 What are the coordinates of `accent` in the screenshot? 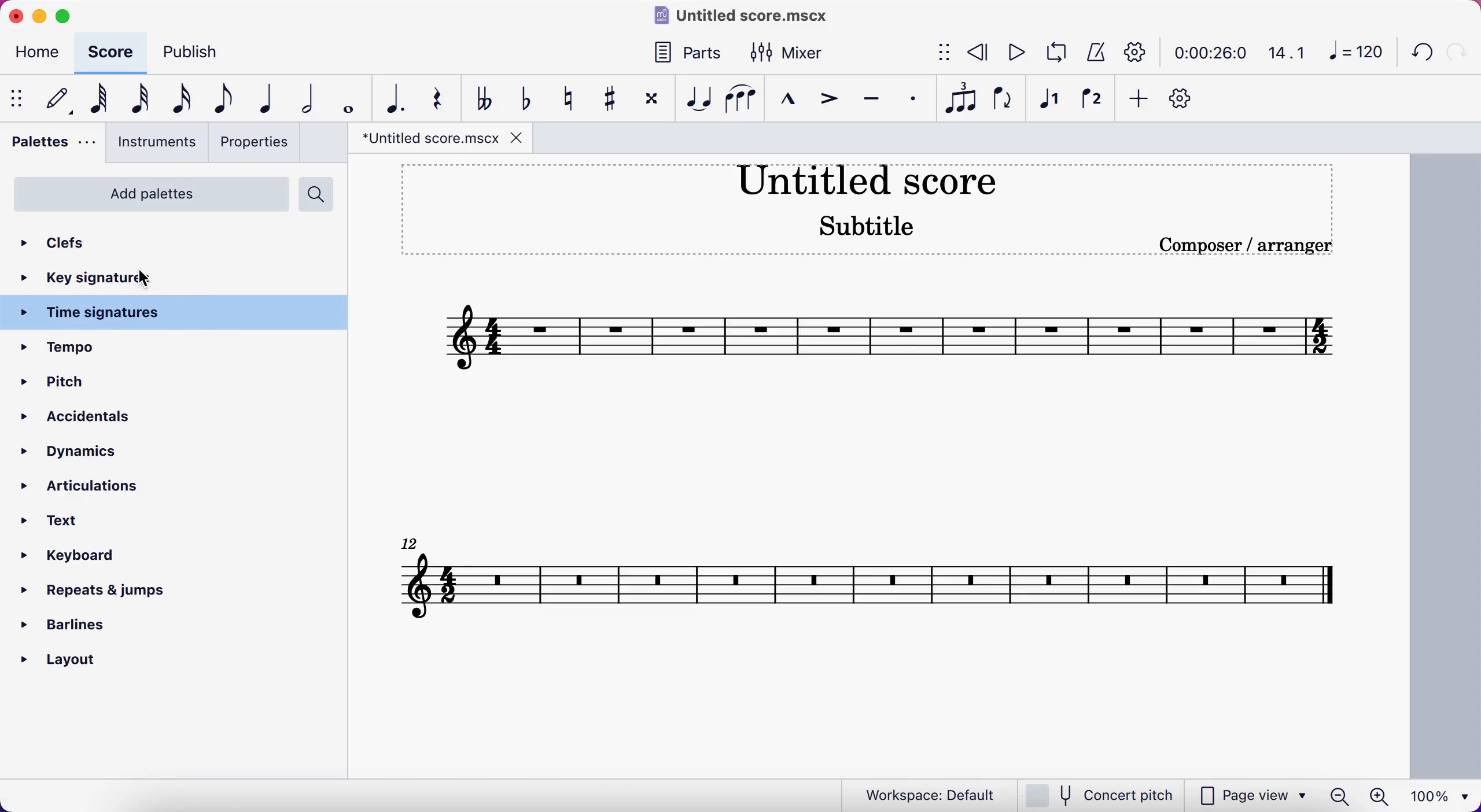 It's located at (831, 105).